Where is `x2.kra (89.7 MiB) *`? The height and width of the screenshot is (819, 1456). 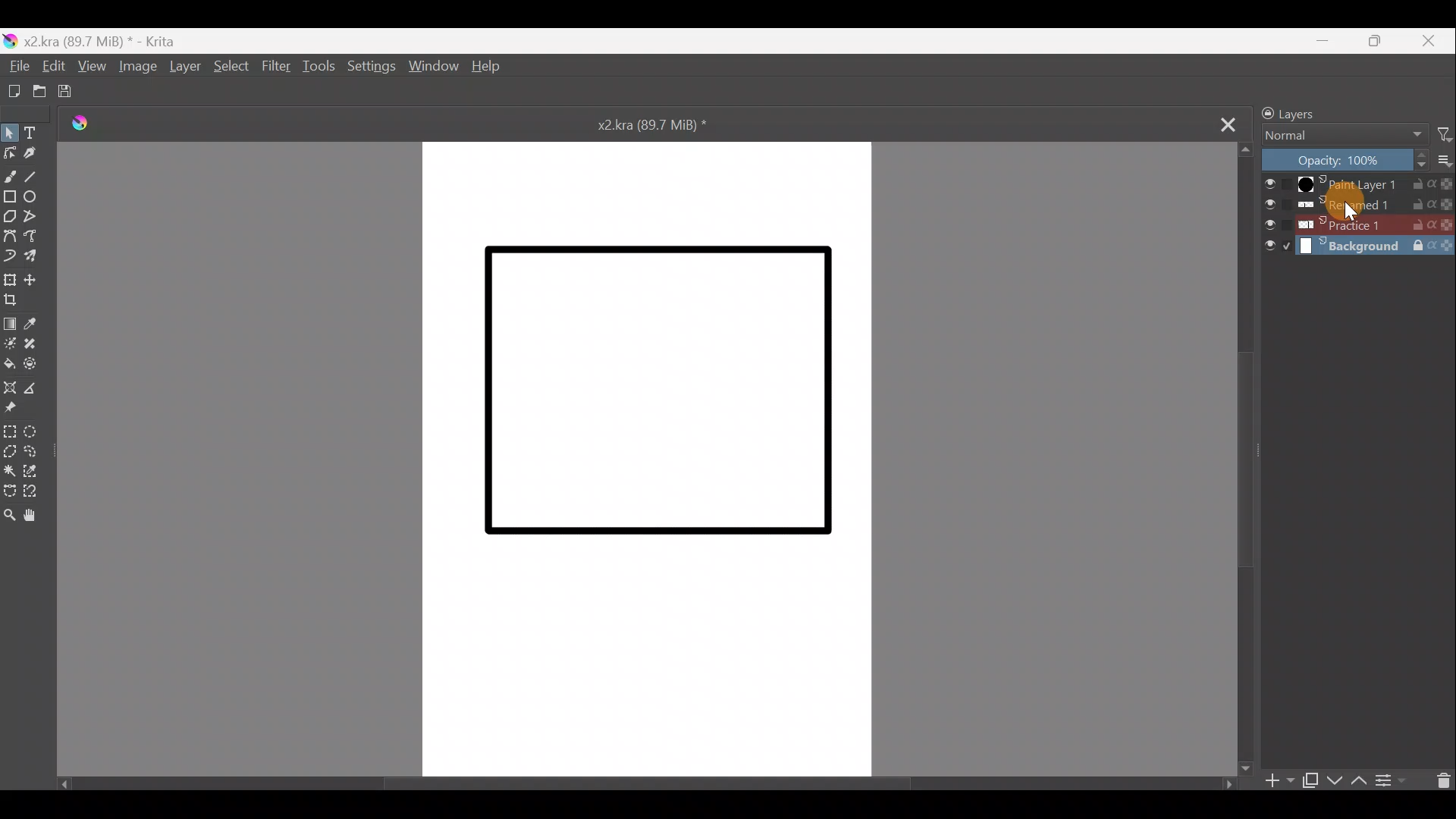 x2.kra (89.7 MiB) * is located at coordinates (108, 42).